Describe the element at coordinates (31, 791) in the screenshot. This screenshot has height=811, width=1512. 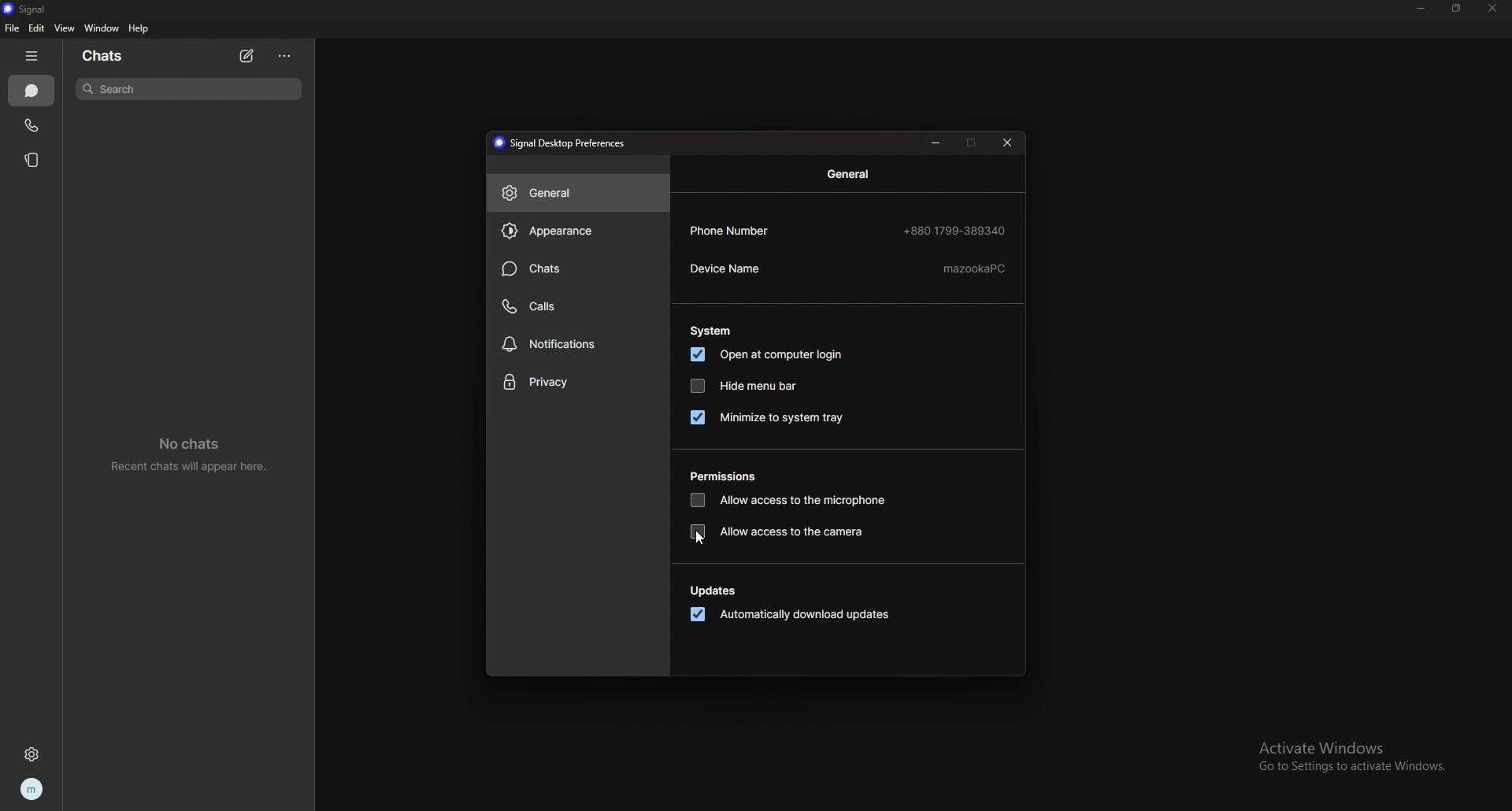
I see `profile` at that location.